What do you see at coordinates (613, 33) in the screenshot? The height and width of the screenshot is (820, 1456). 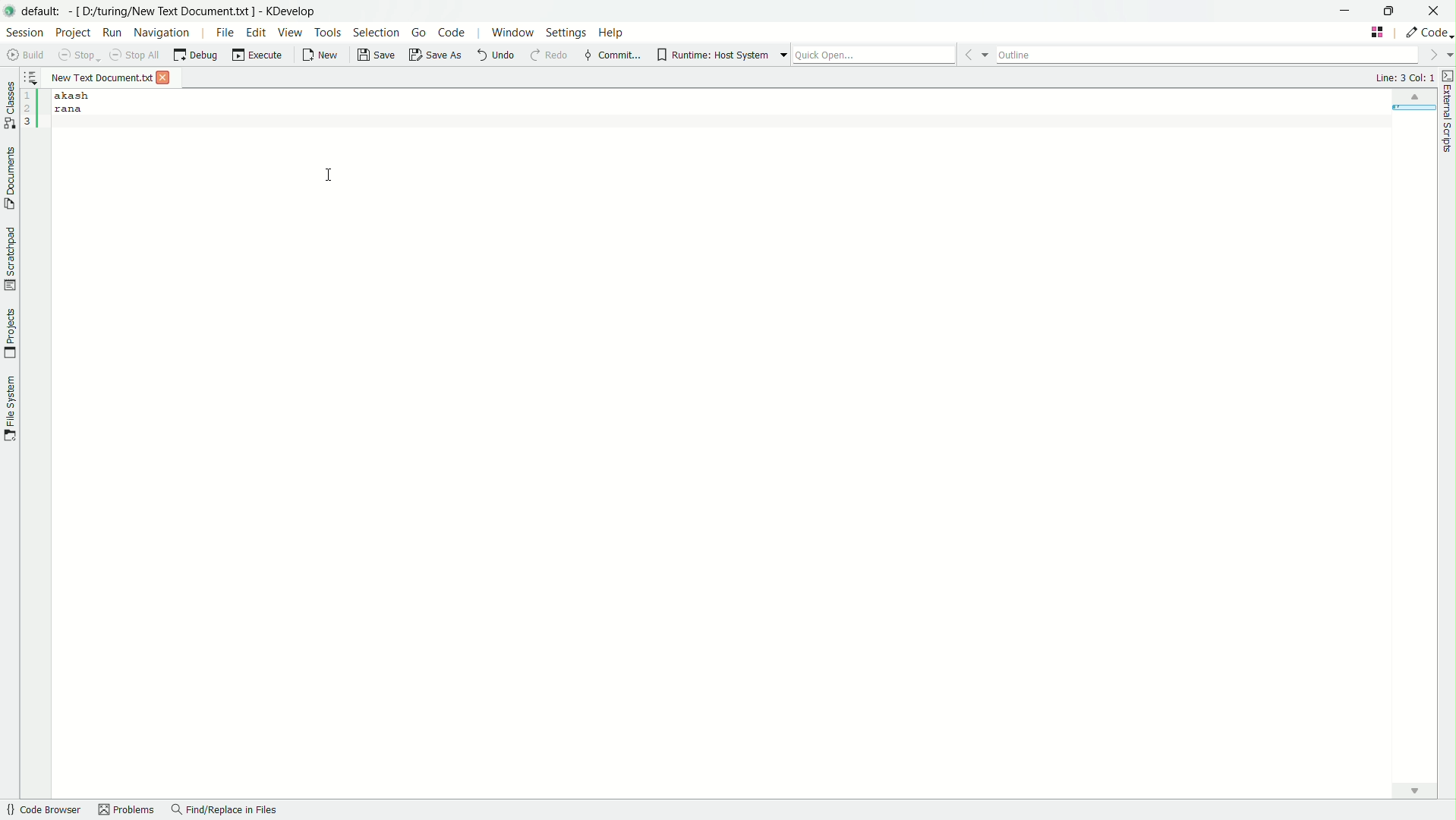 I see `help menu` at bounding box center [613, 33].